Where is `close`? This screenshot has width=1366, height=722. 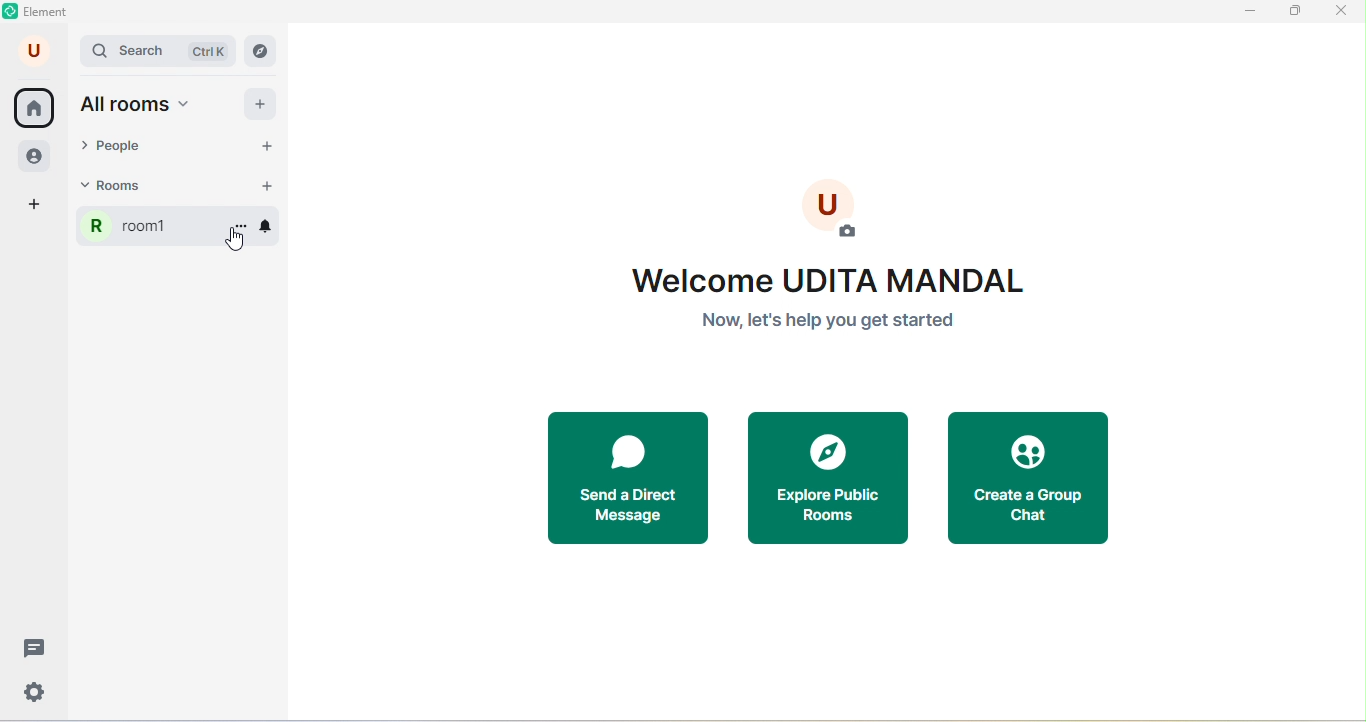
close is located at coordinates (1346, 14).